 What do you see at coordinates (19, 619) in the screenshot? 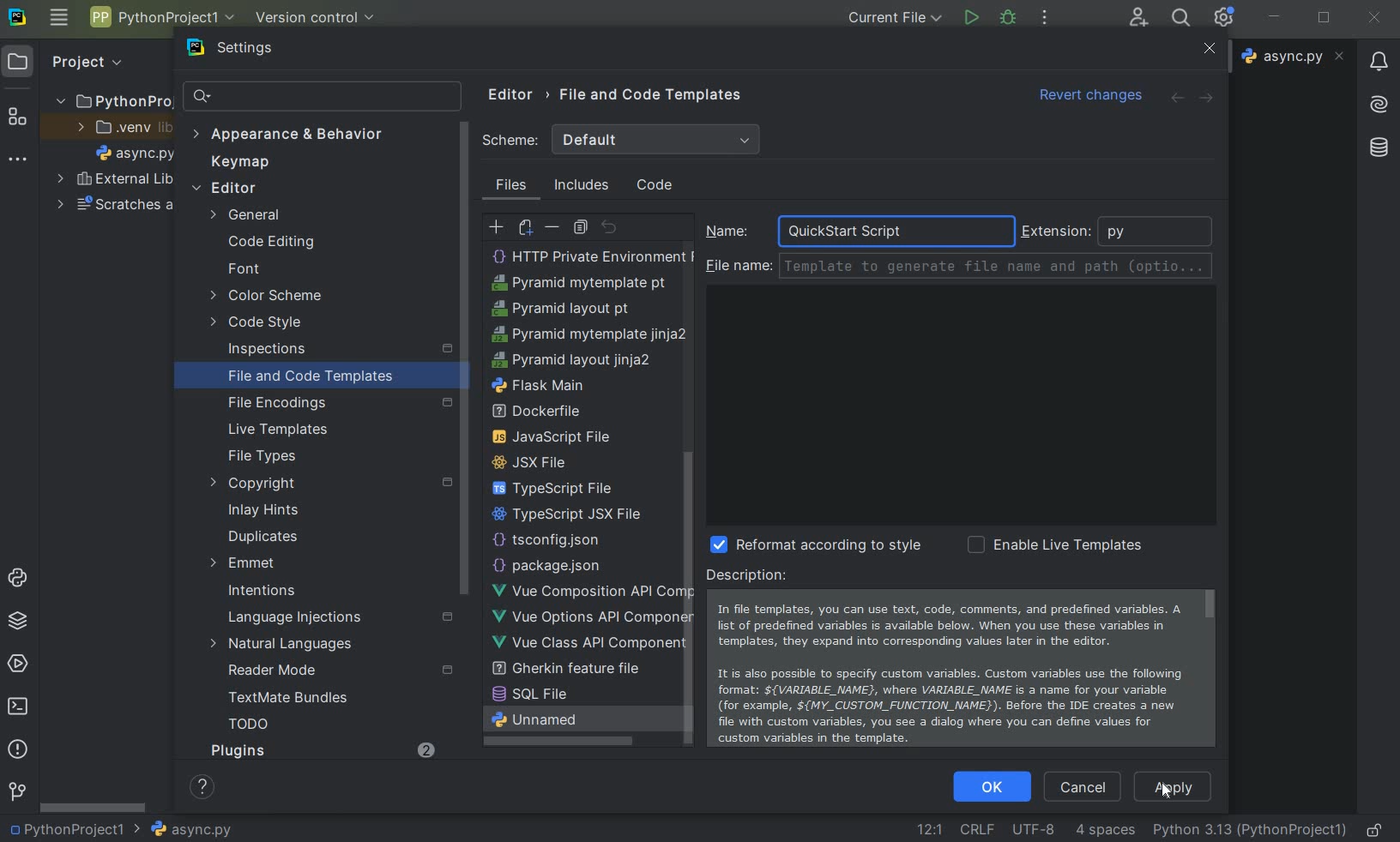
I see `python packages` at bounding box center [19, 619].